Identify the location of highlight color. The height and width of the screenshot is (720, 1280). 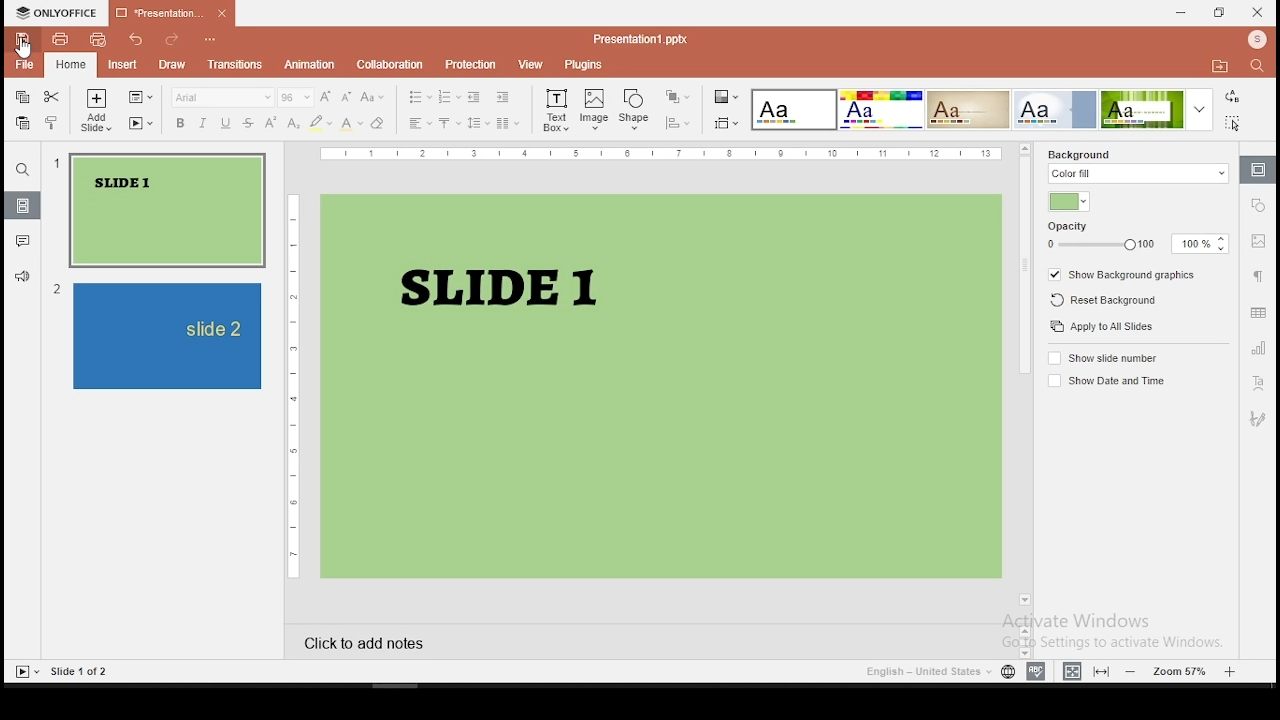
(320, 122).